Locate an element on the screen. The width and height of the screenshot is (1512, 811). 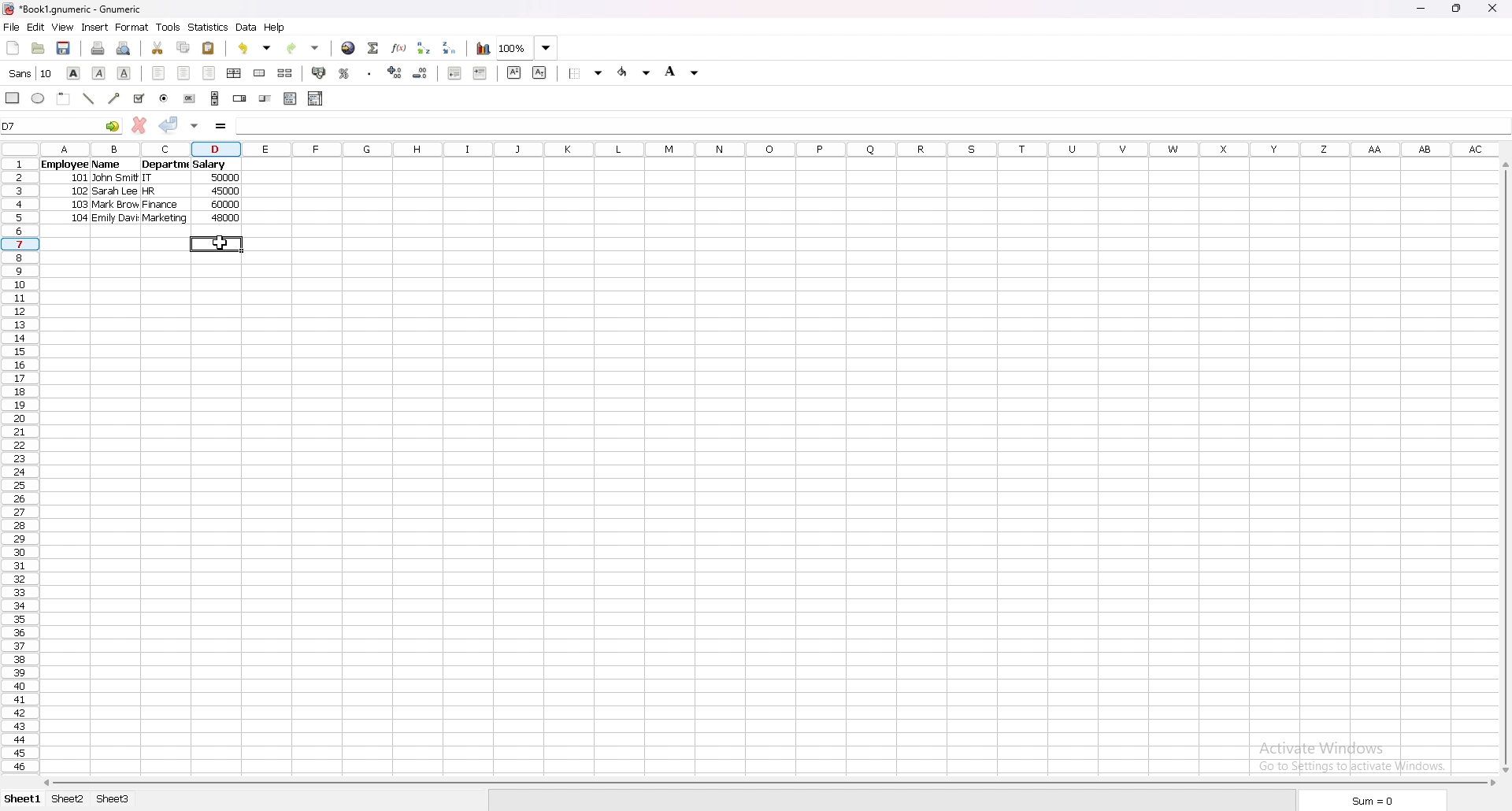
departm is located at coordinates (165, 165).